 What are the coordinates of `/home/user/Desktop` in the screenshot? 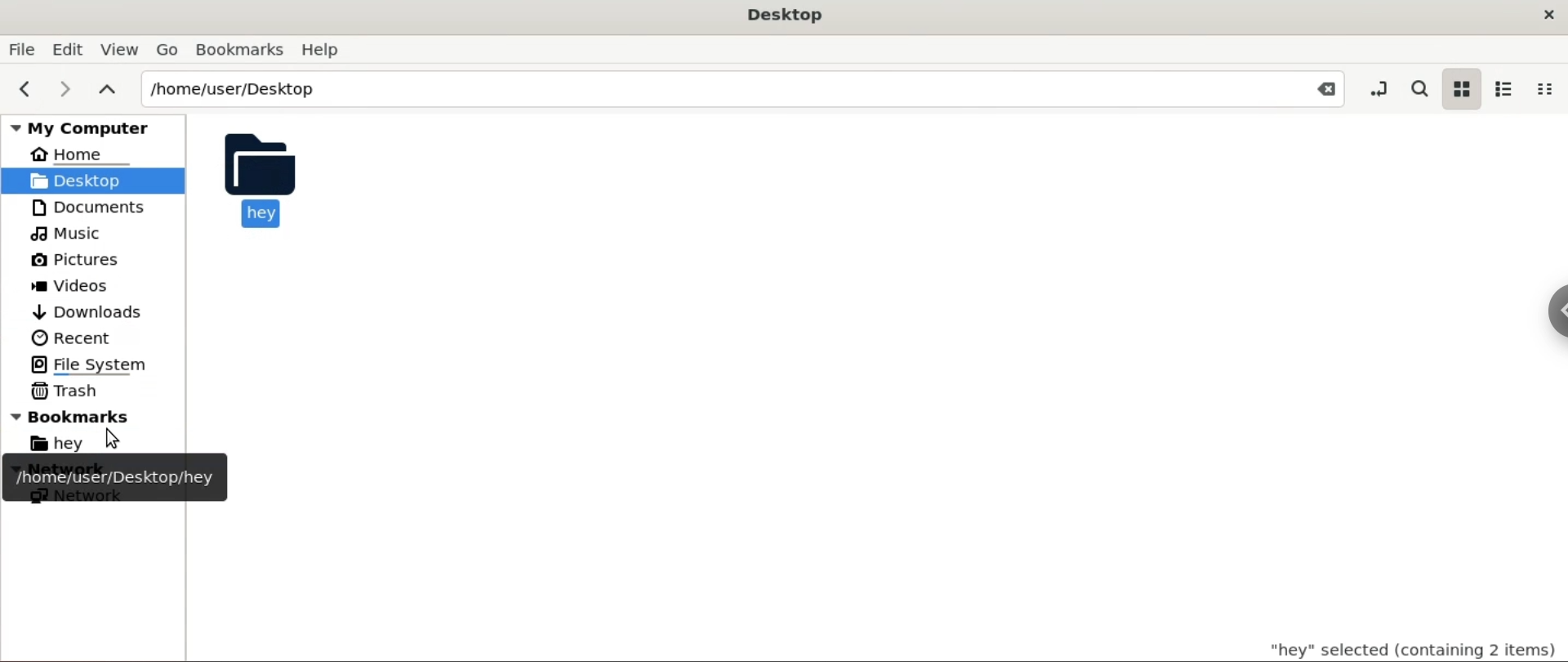 It's located at (711, 88).